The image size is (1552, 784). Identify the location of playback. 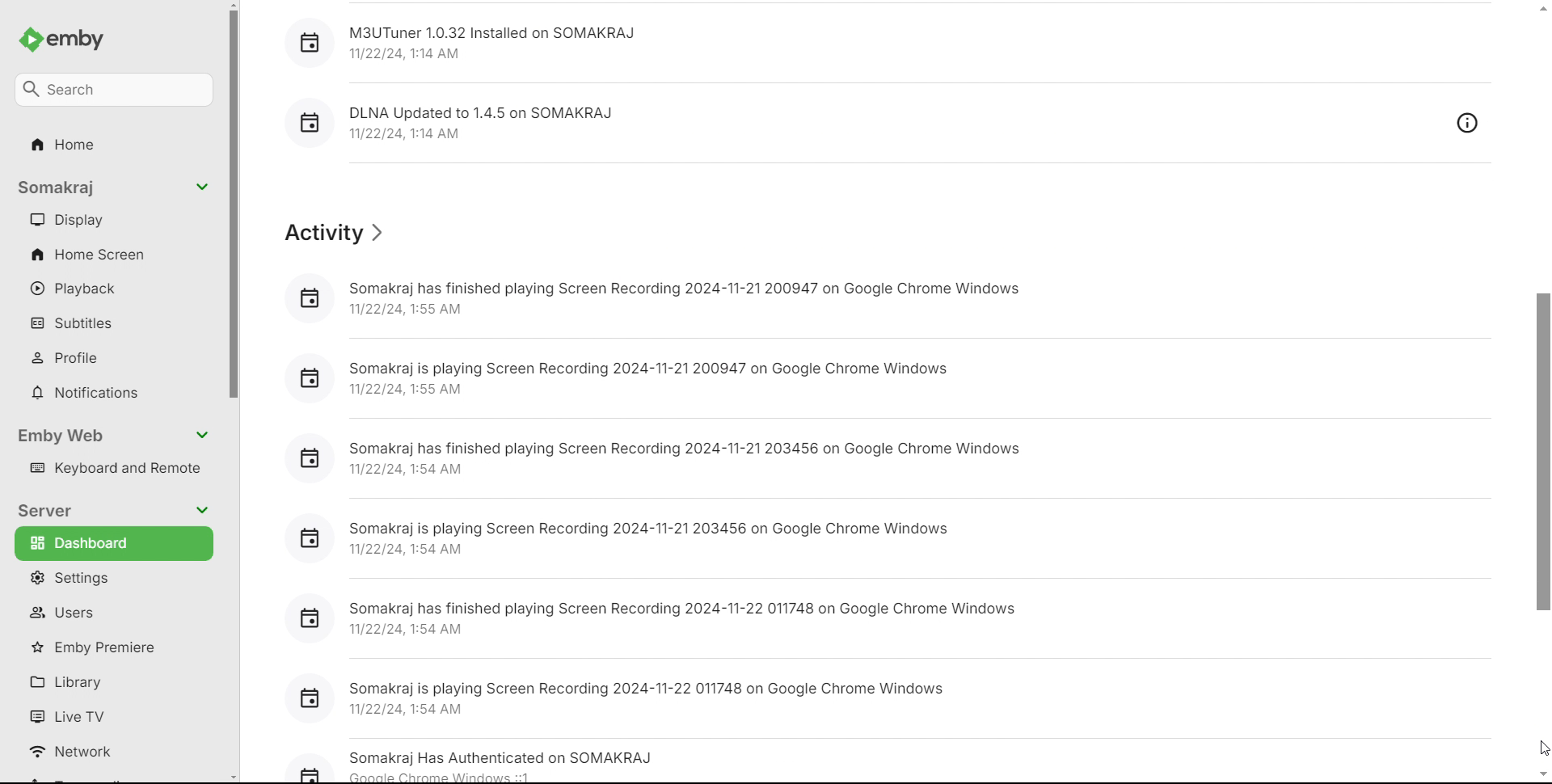
(115, 287).